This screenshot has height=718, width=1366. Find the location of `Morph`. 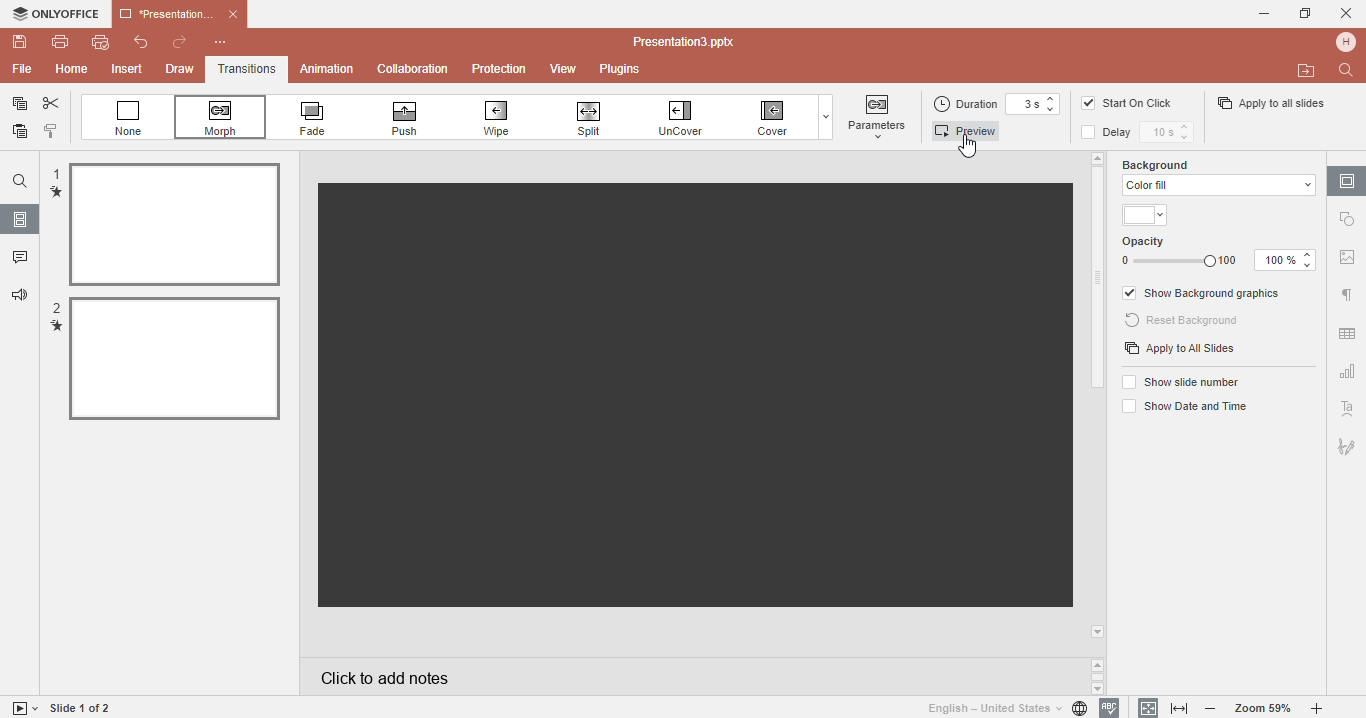

Morph is located at coordinates (225, 118).